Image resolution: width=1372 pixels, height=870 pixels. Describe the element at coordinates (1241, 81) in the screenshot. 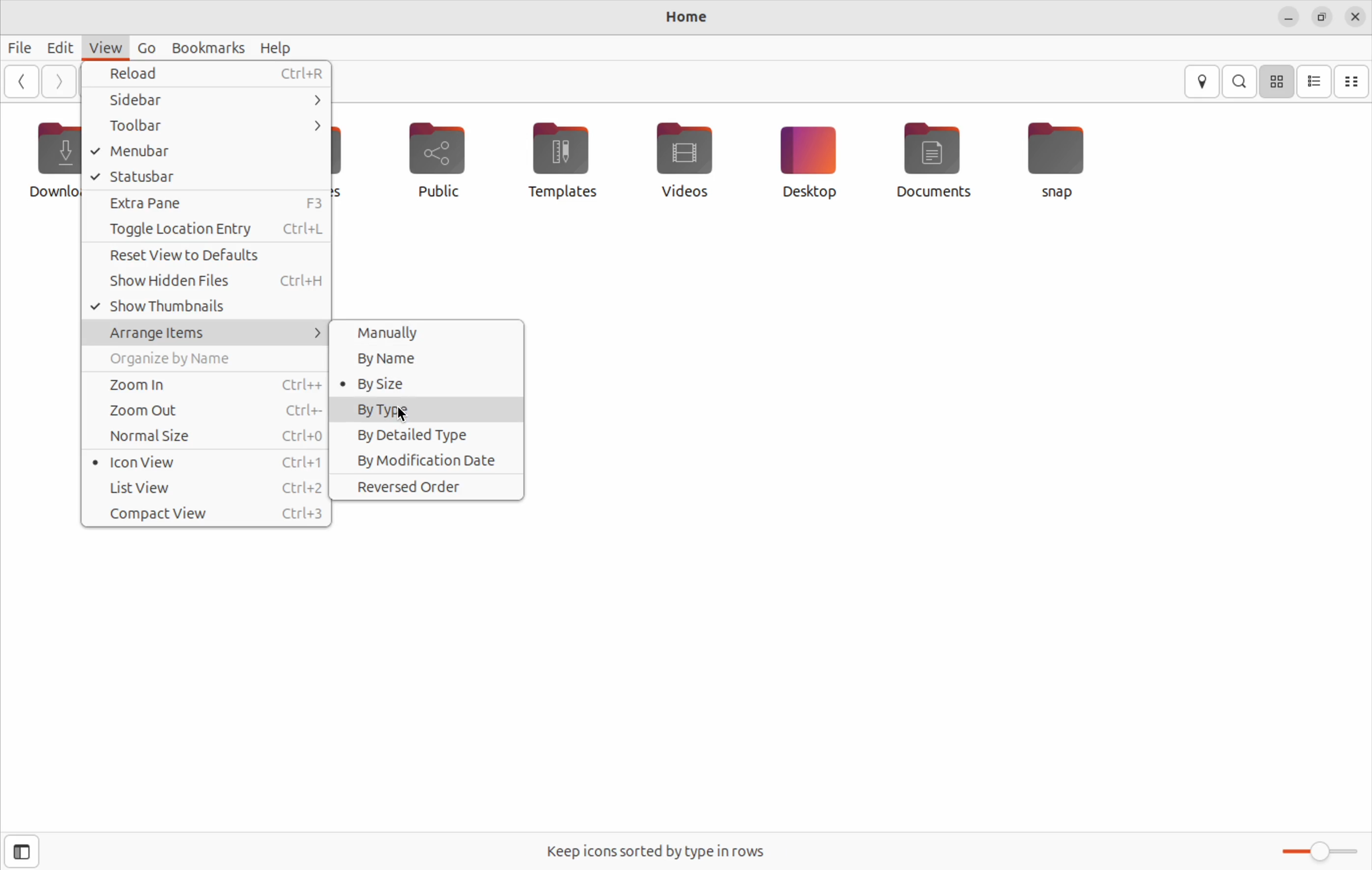

I see `search` at that location.